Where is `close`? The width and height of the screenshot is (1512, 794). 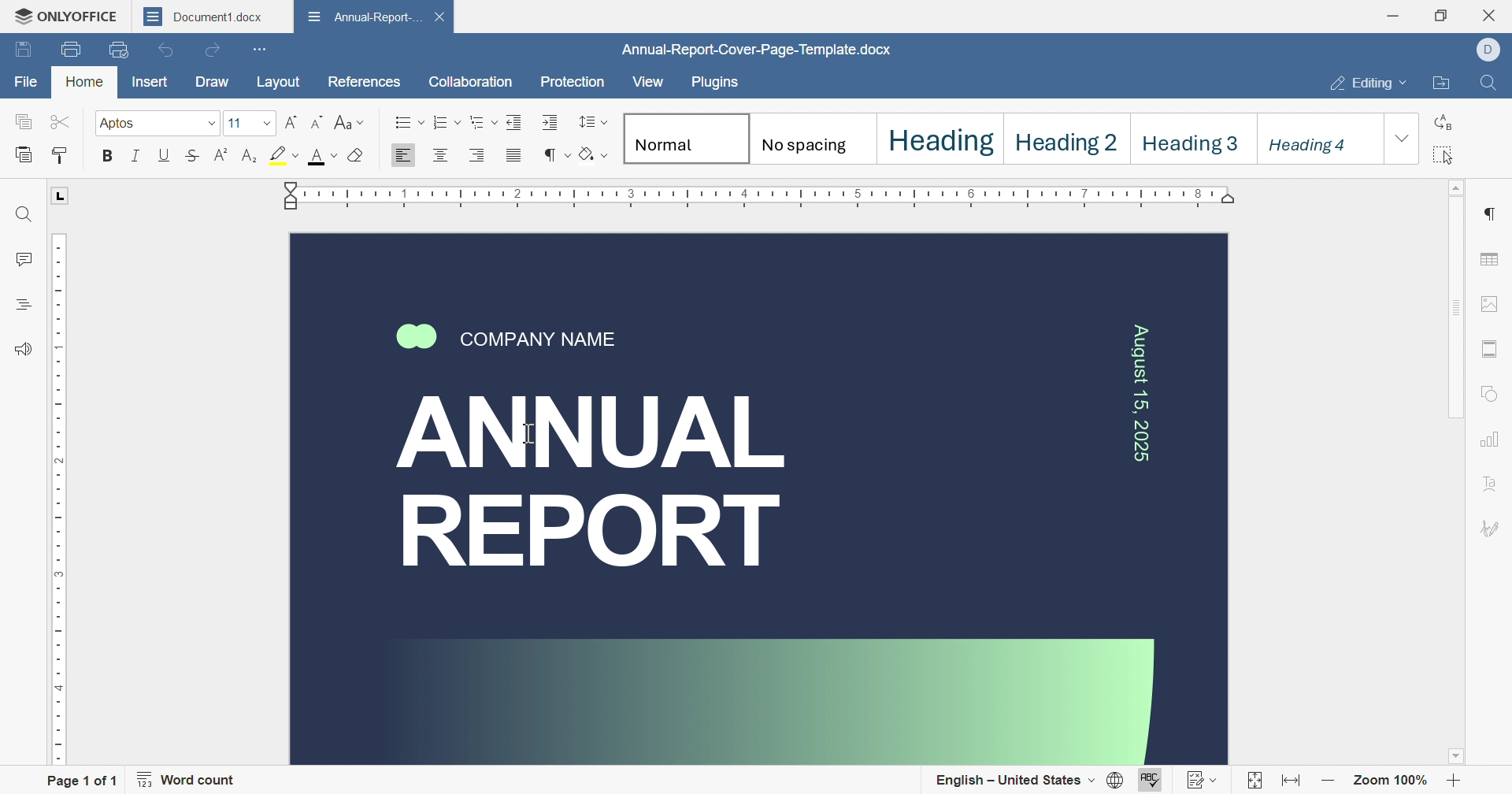 close is located at coordinates (280, 16).